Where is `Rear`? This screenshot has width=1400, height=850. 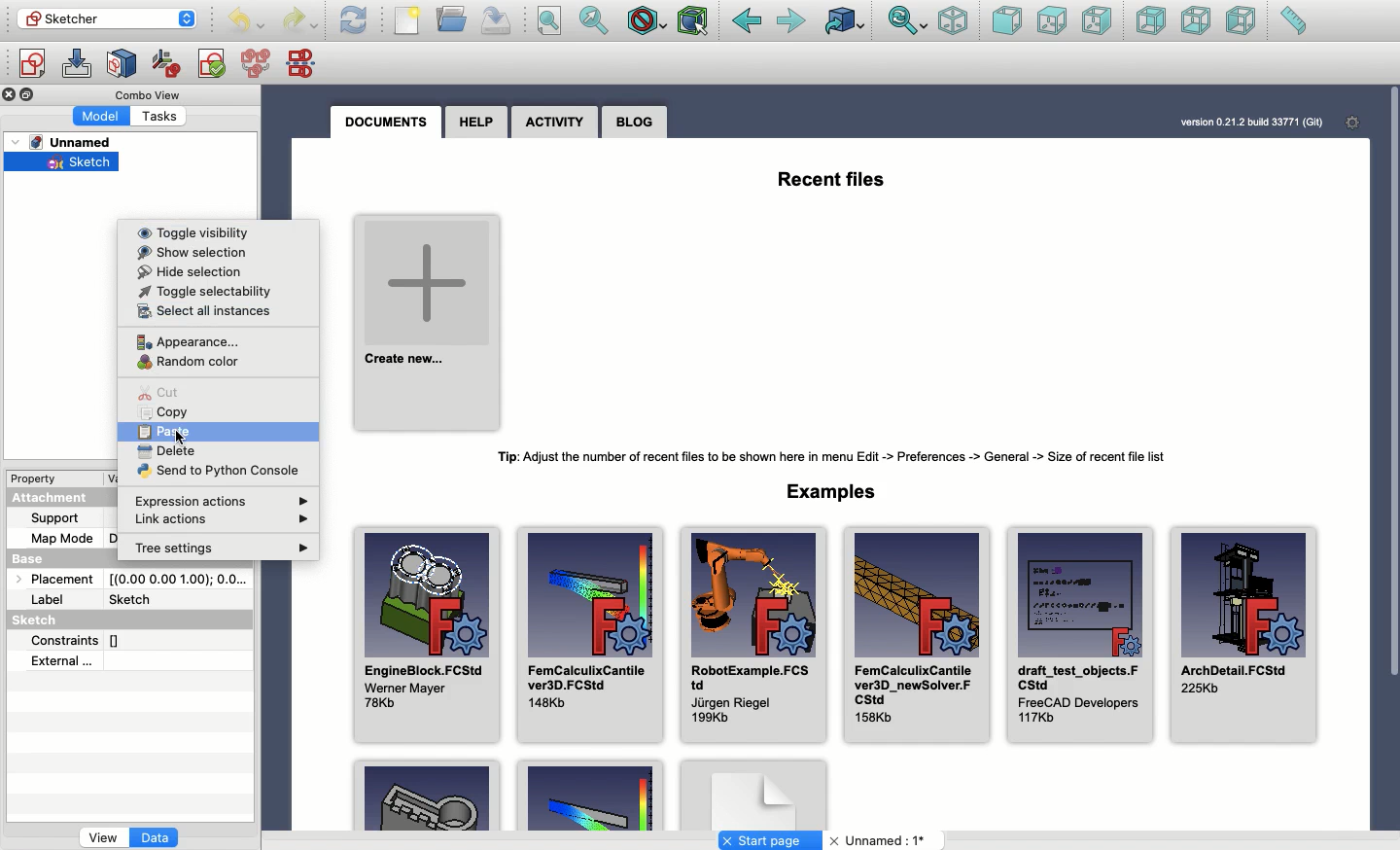
Rear is located at coordinates (1151, 20).